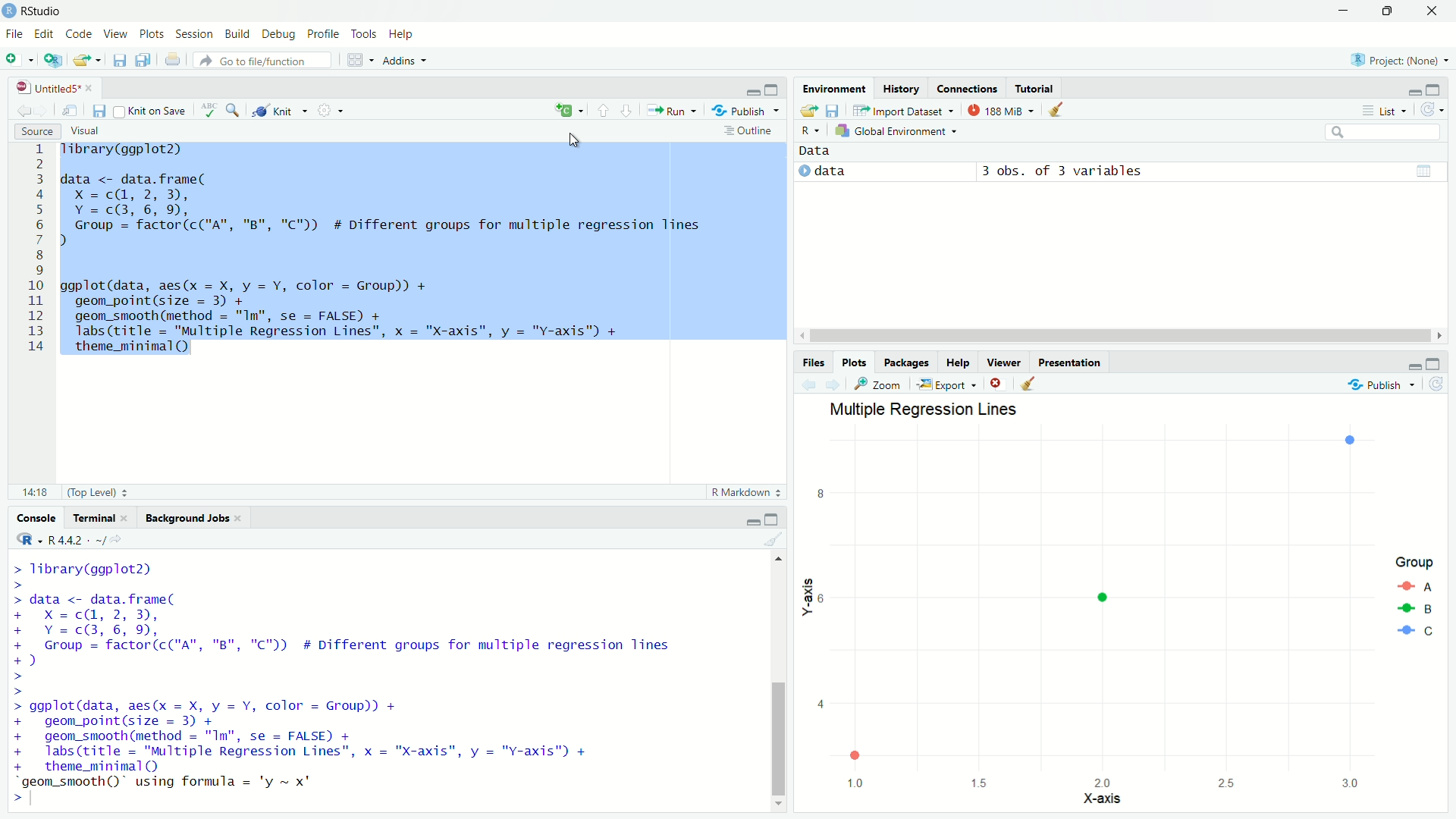 The image size is (1456, 819). Describe the element at coordinates (335, 112) in the screenshot. I see `settings` at that location.